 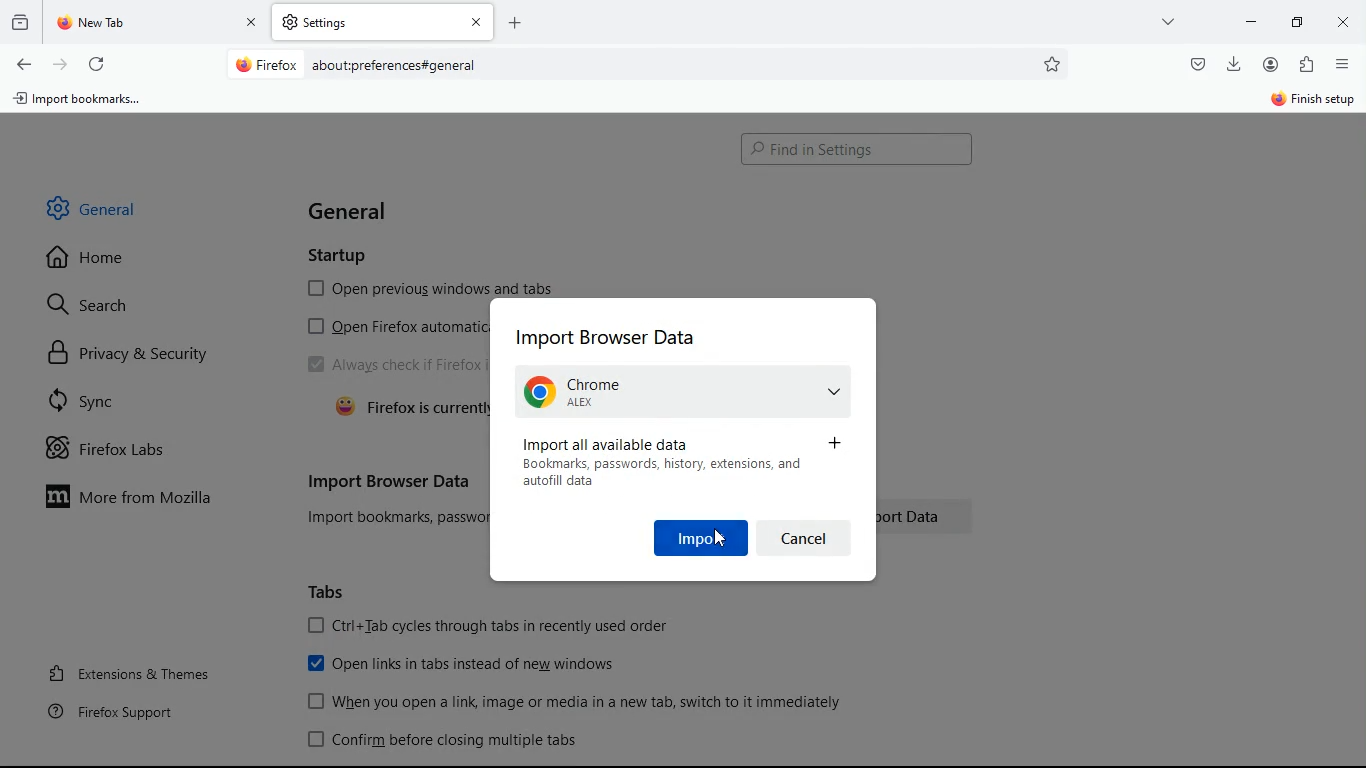 I want to click on Vertical scroll  bar, so click(x=1357, y=172).